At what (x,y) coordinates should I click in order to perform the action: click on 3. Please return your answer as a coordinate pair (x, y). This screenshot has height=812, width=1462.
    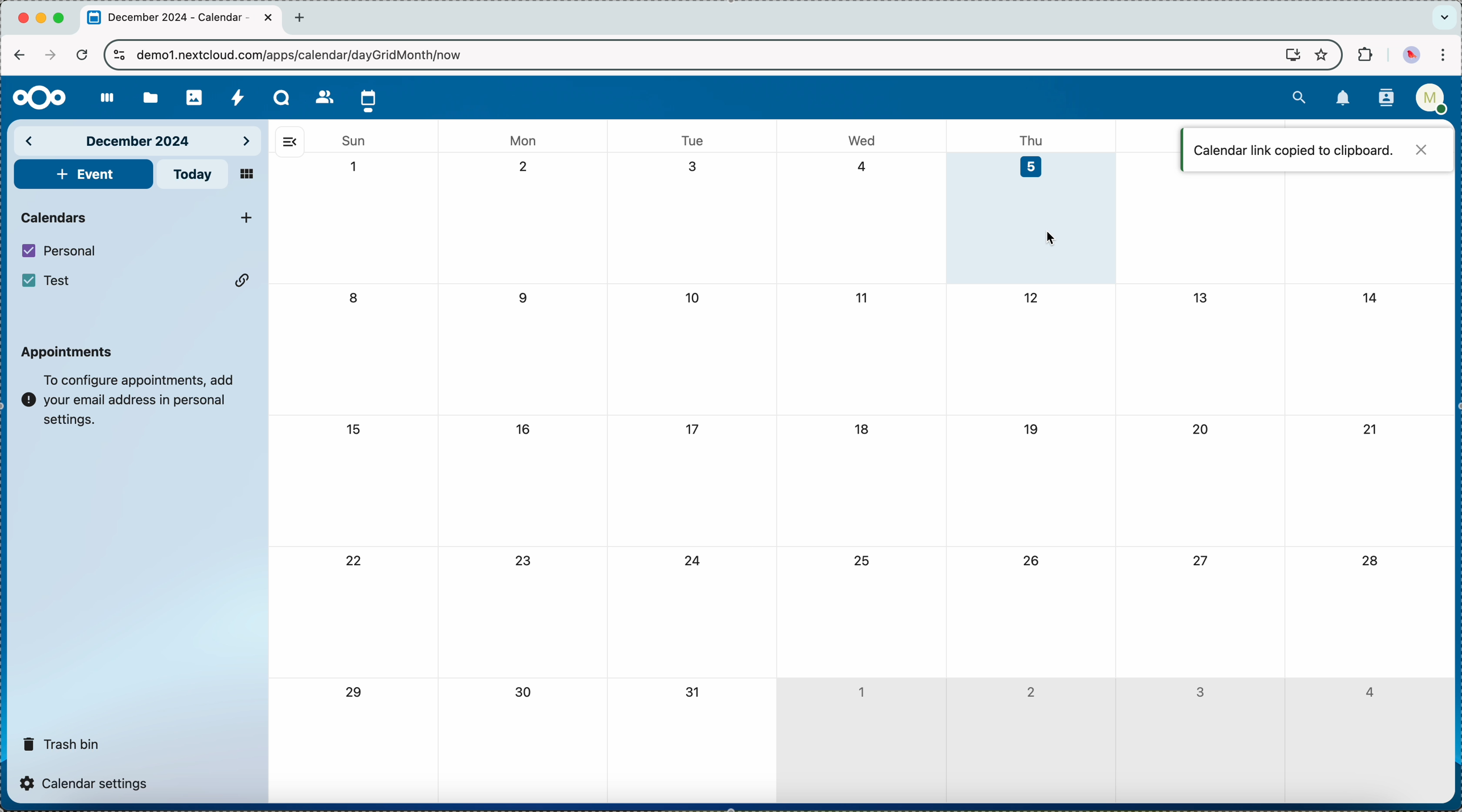
    Looking at the image, I should click on (1200, 693).